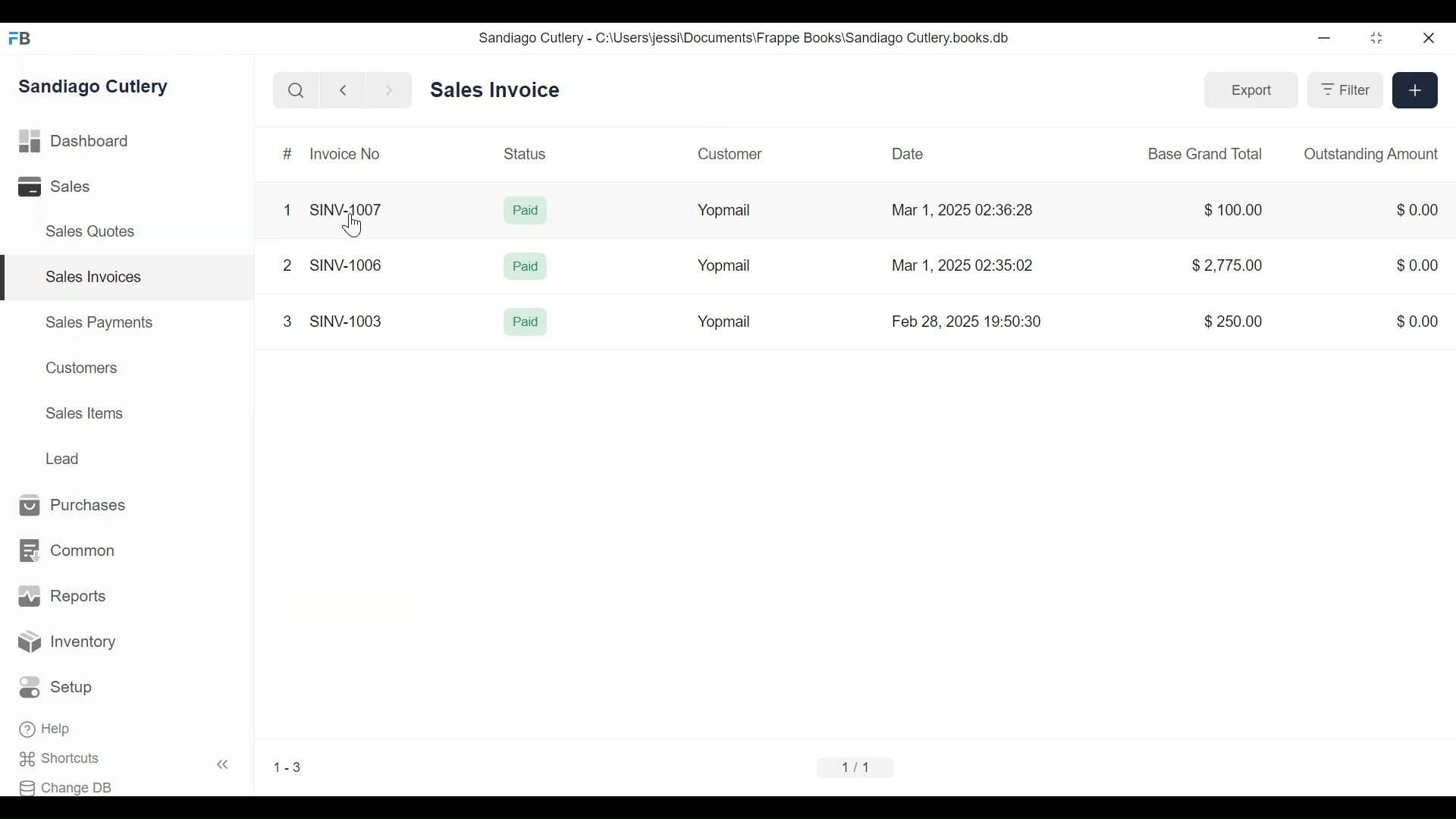  Describe the element at coordinates (1227, 265) in the screenshot. I see `$2,775.00` at that location.